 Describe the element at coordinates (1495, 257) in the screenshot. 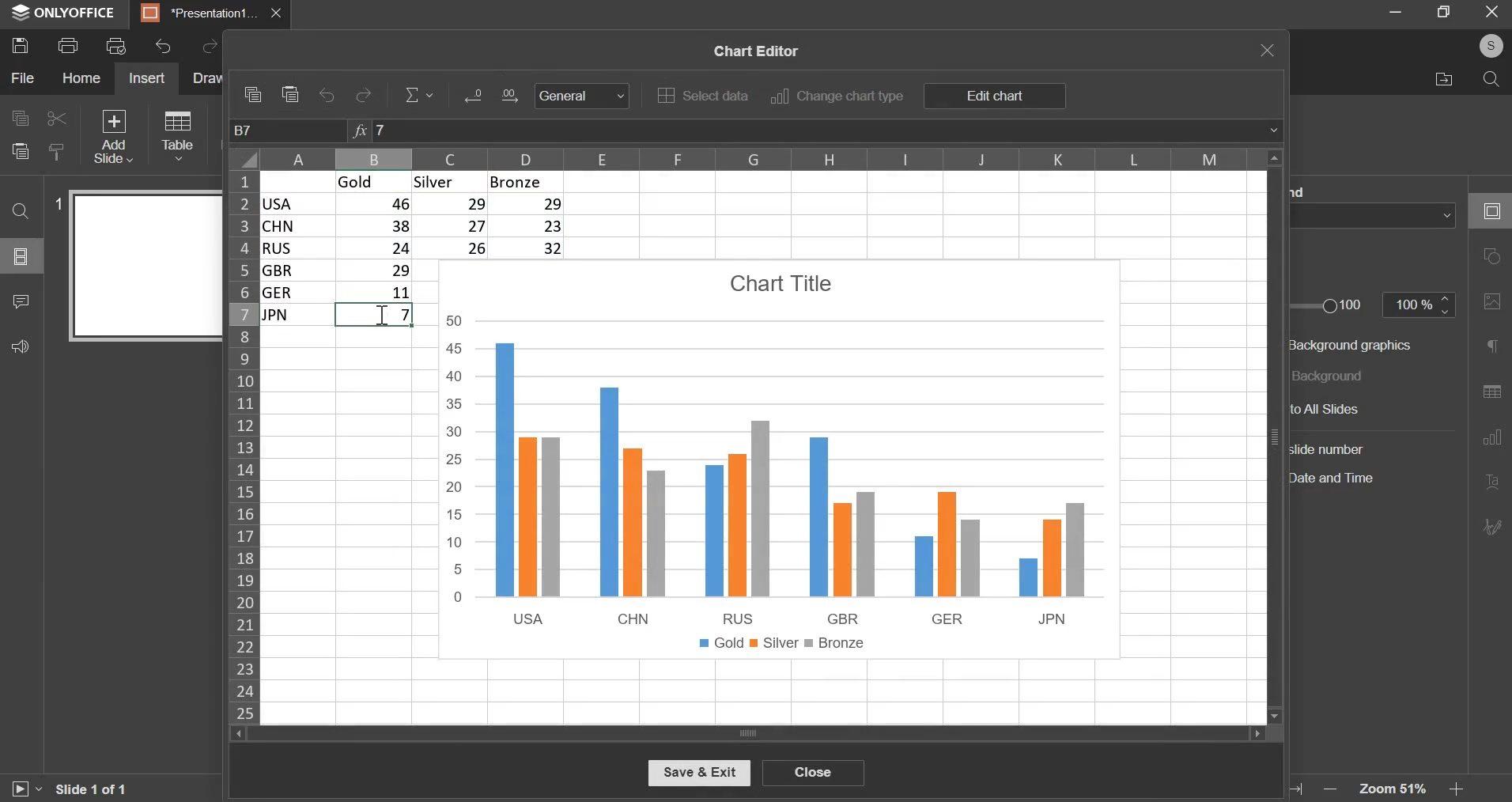

I see `shape settings` at that location.